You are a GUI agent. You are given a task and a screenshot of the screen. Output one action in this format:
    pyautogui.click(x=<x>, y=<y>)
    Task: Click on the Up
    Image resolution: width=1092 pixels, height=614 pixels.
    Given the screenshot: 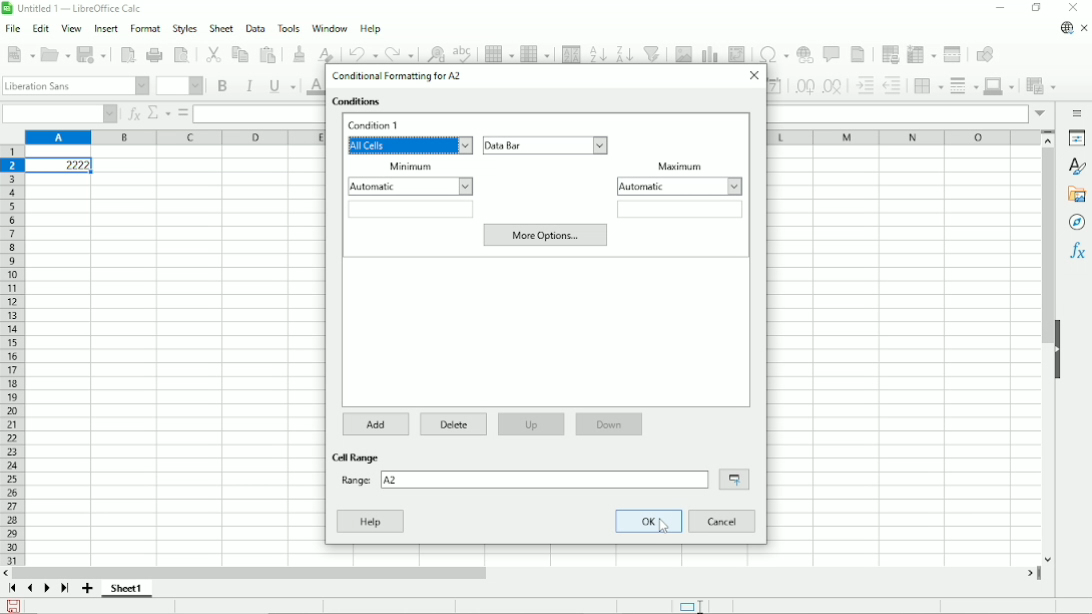 What is the action you would take?
    pyautogui.click(x=531, y=425)
    